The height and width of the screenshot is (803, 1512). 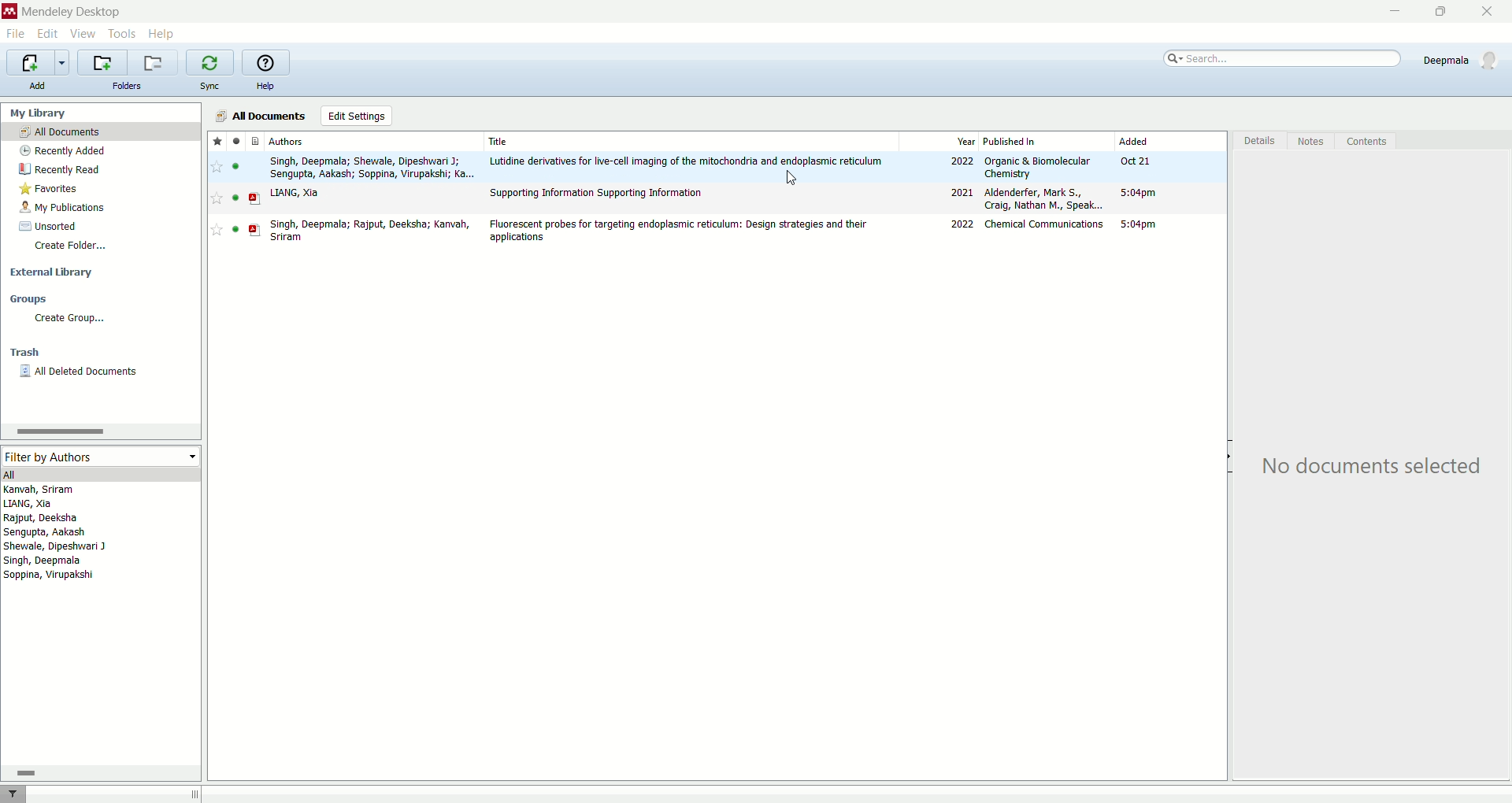 I want to click on singh, deepmala; shewale, dipeshwari J; sengupta, aakash; soppina, virupakshi; ka, so click(x=372, y=168).